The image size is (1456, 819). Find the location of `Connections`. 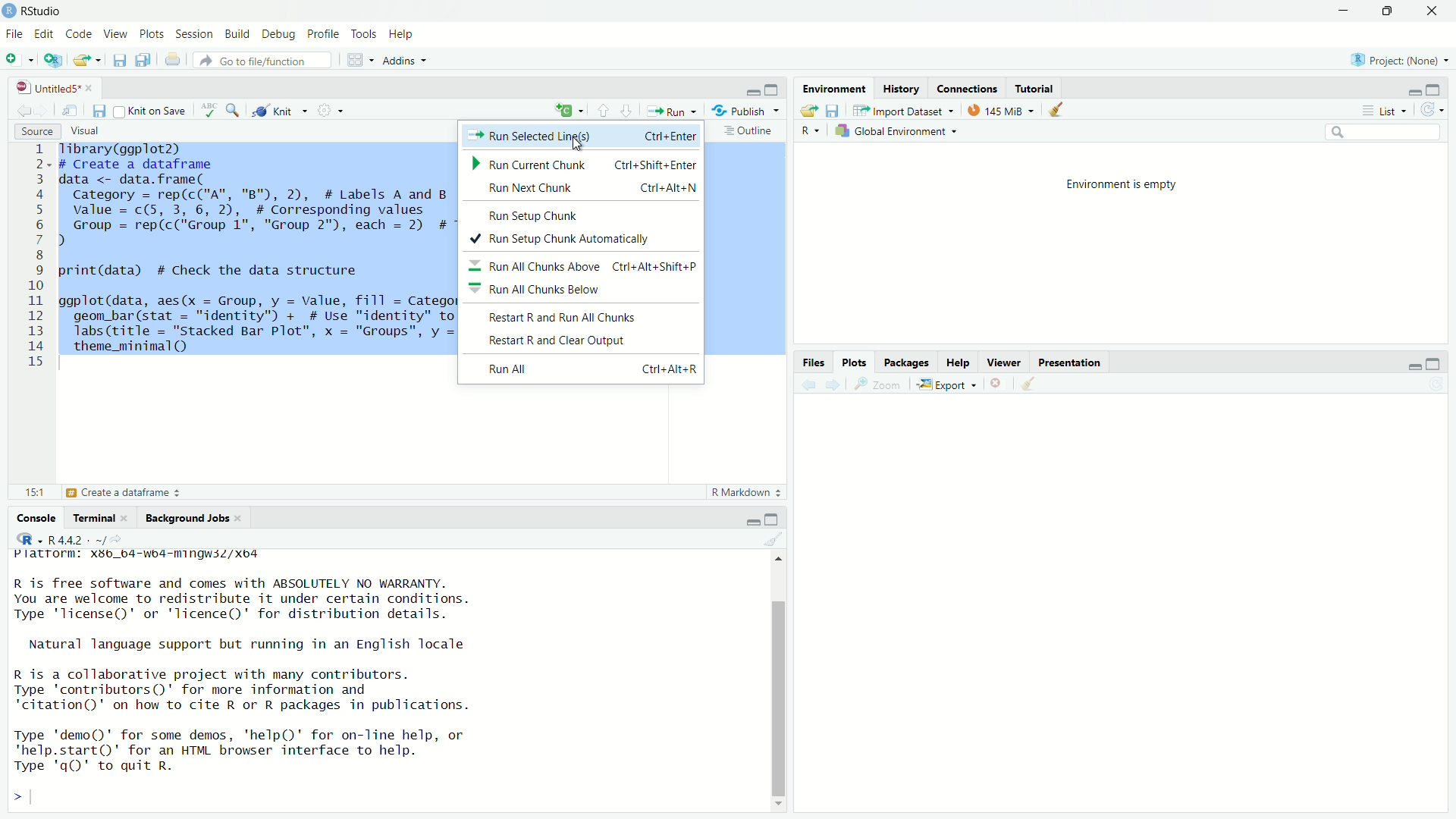

Connections is located at coordinates (971, 87).